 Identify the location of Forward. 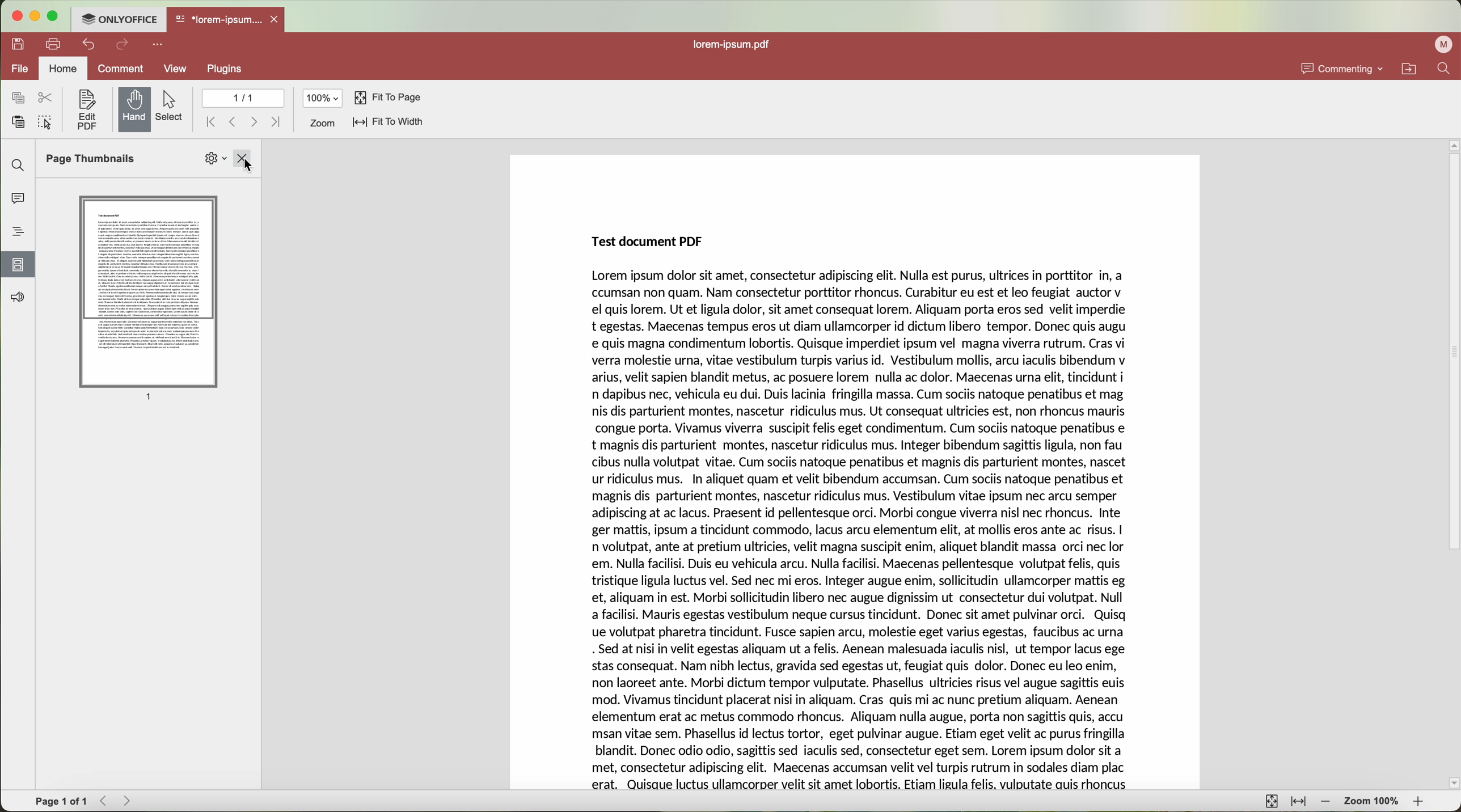
(128, 801).